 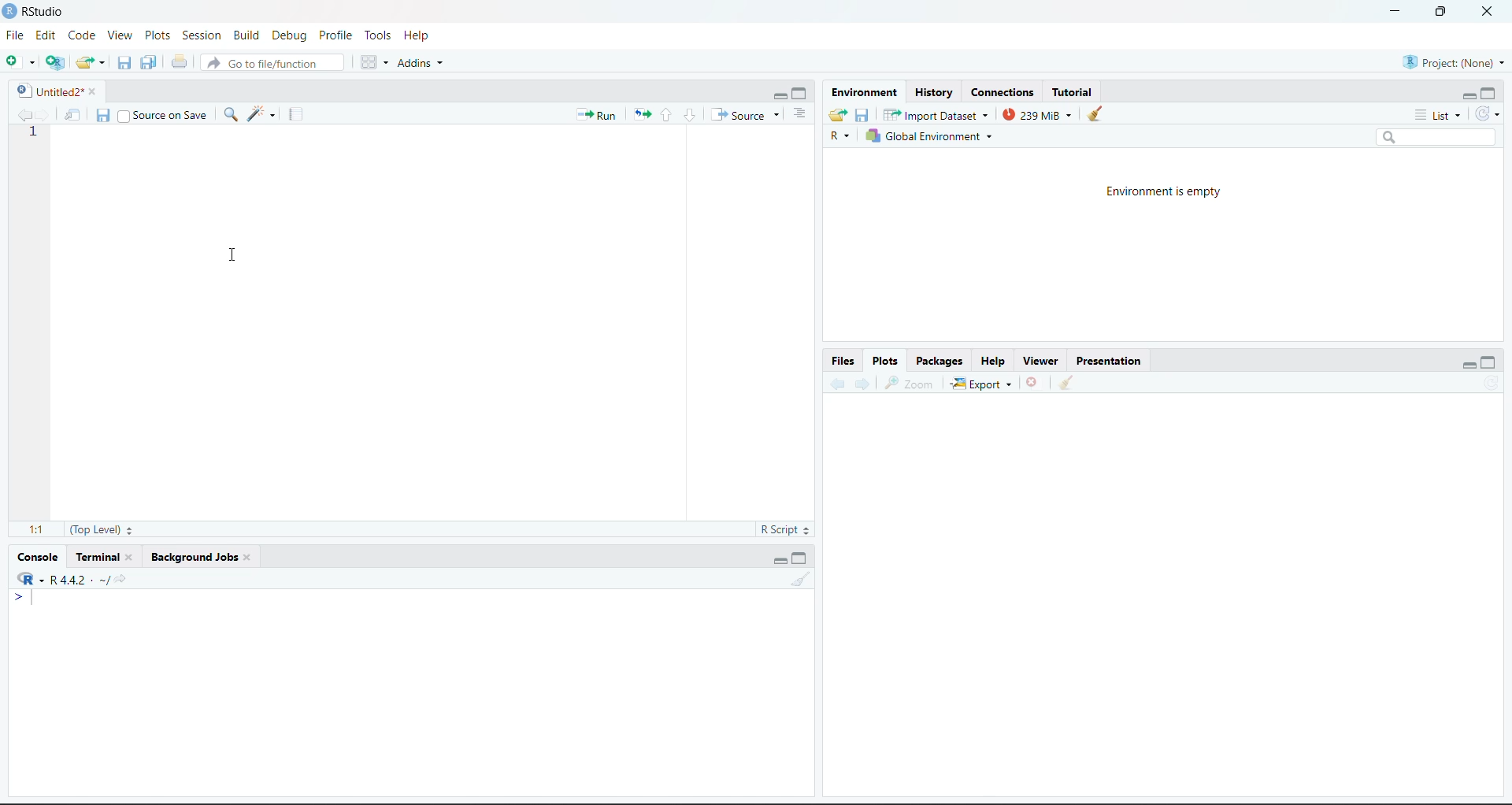 What do you see at coordinates (178, 61) in the screenshot?
I see `Print the current file` at bounding box center [178, 61].